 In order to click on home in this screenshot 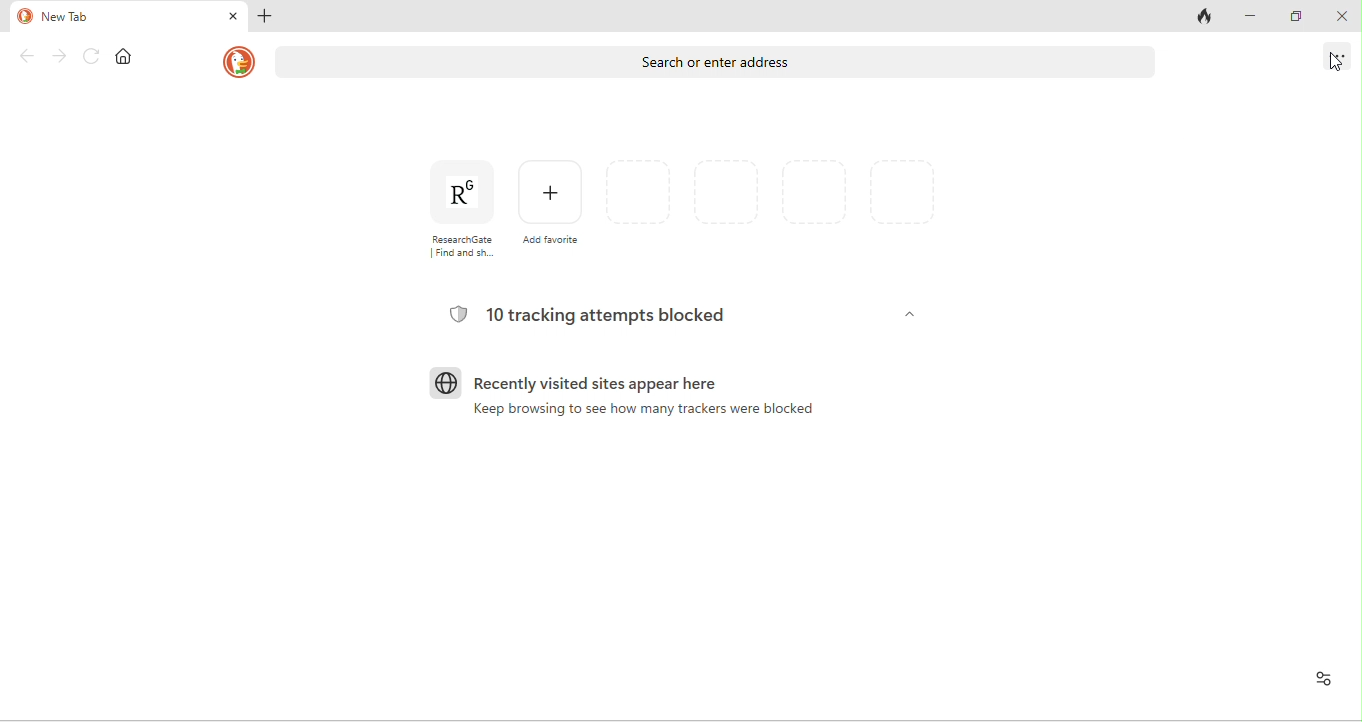, I will do `click(127, 57)`.